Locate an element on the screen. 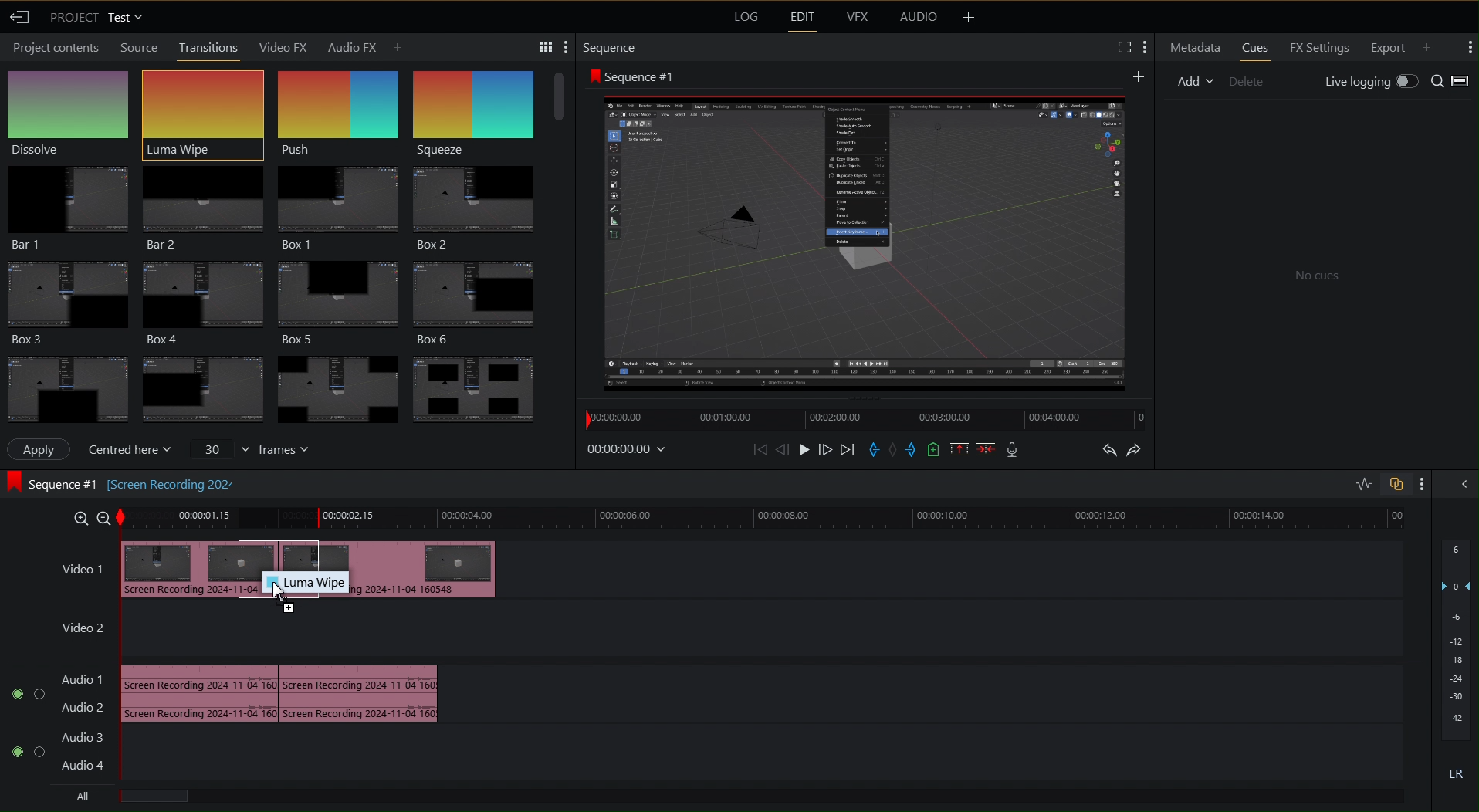  Redo is located at coordinates (1139, 448).